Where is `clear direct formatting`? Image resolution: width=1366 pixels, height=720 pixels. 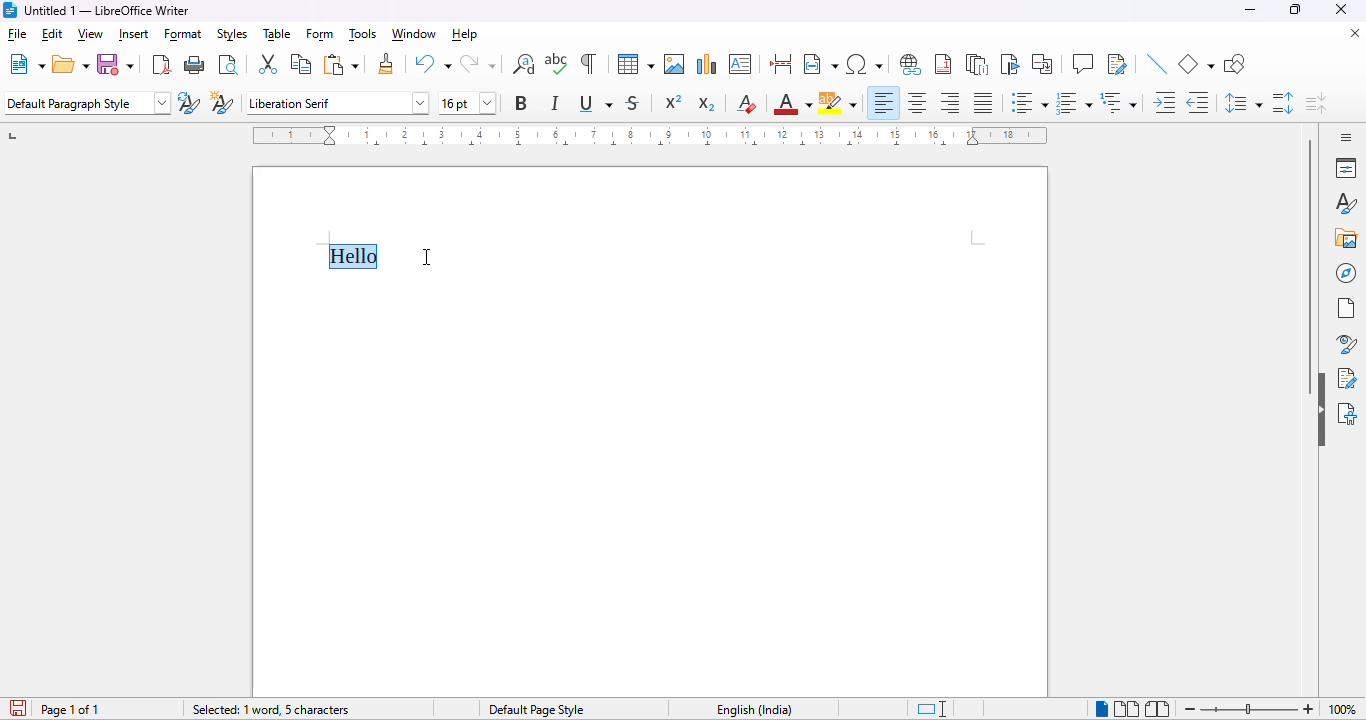
clear direct formatting is located at coordinates (746, 105).